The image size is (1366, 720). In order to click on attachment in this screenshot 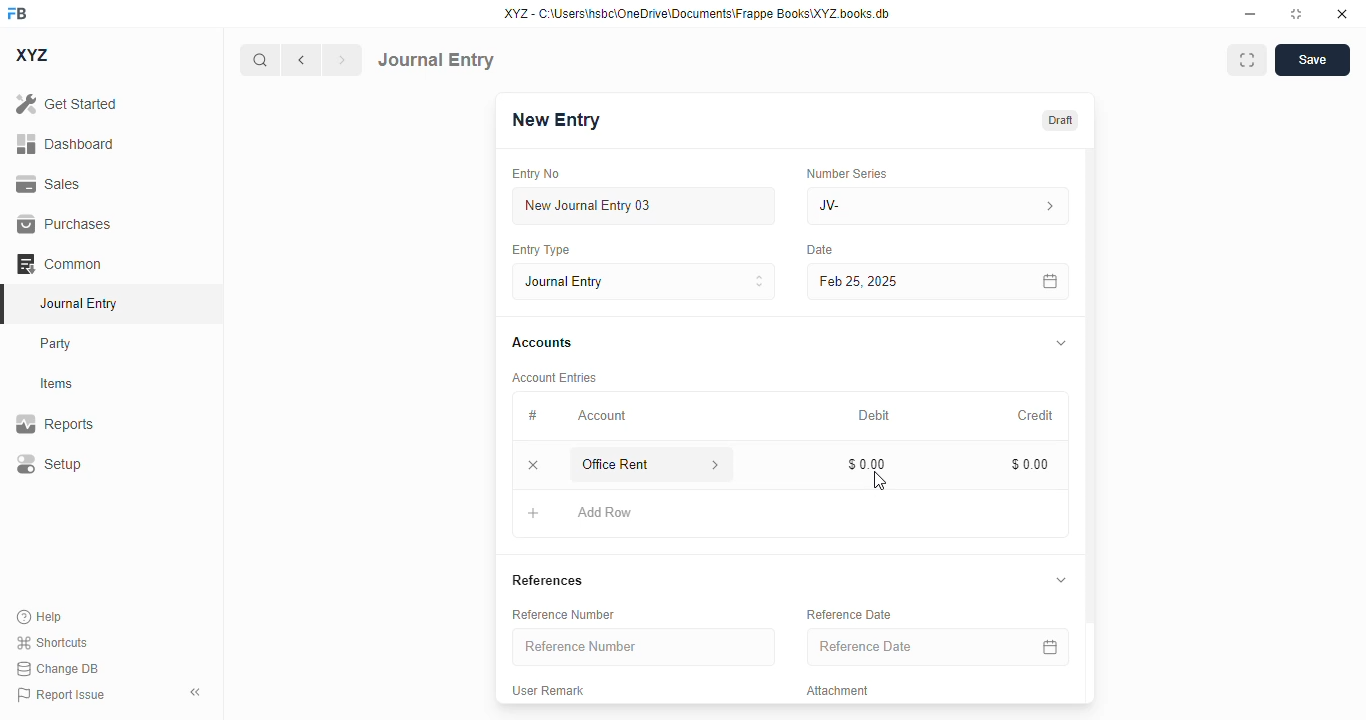, I will do `click(838, 690)`.